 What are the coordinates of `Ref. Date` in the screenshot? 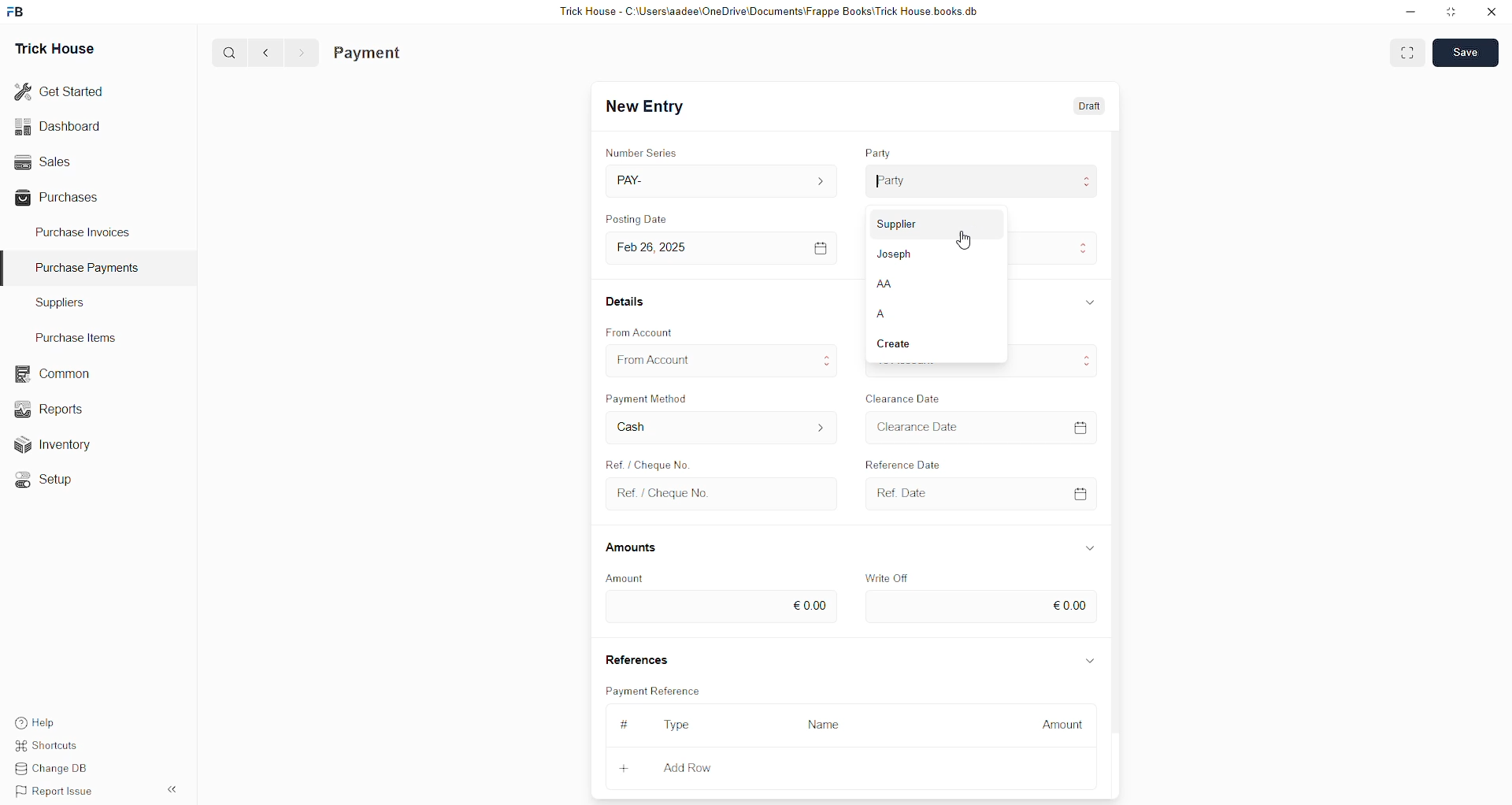 It's located at (976, 493).